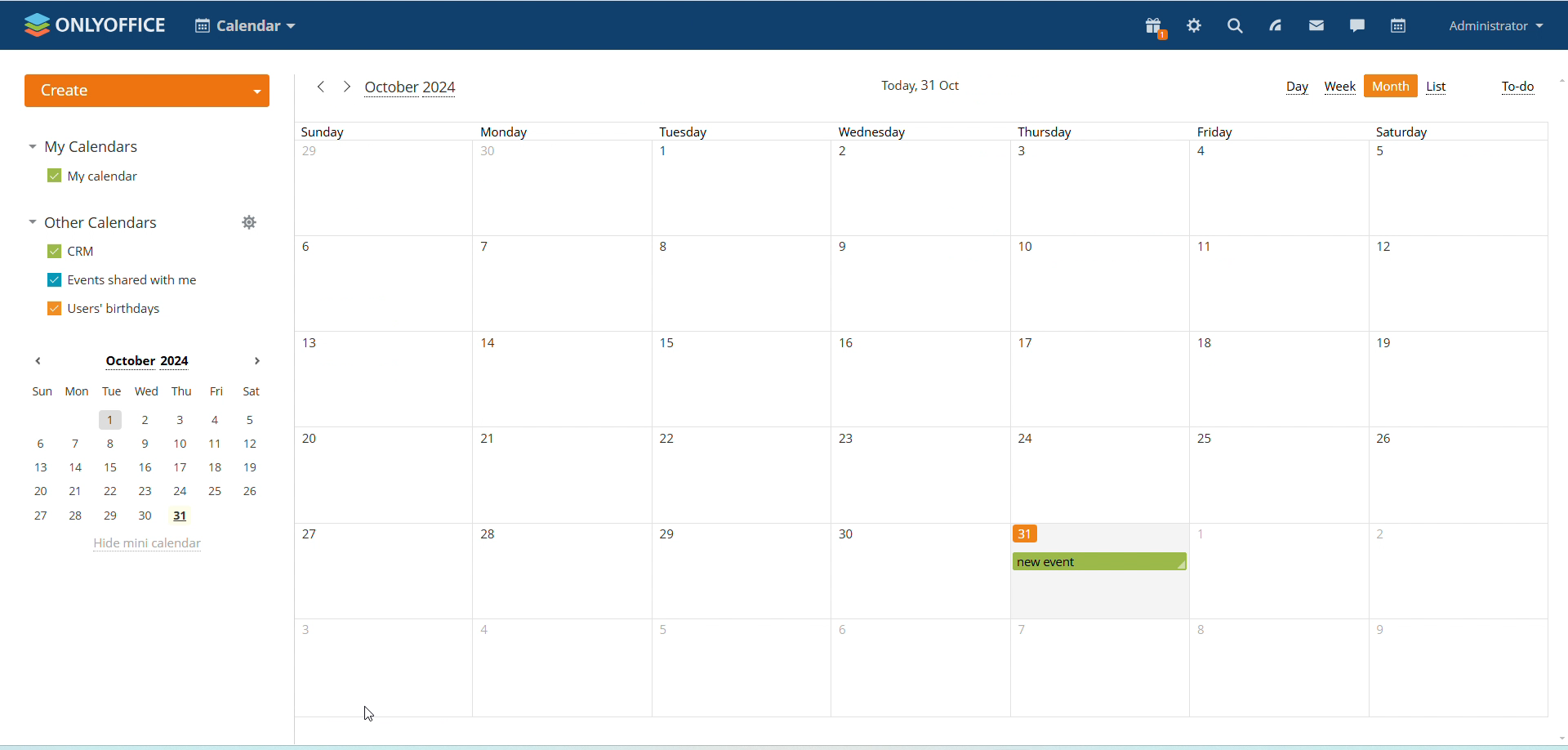 Image resolution: width=1568 pixels, height=750 pixels. I want to click on select application, so click(245, 25).